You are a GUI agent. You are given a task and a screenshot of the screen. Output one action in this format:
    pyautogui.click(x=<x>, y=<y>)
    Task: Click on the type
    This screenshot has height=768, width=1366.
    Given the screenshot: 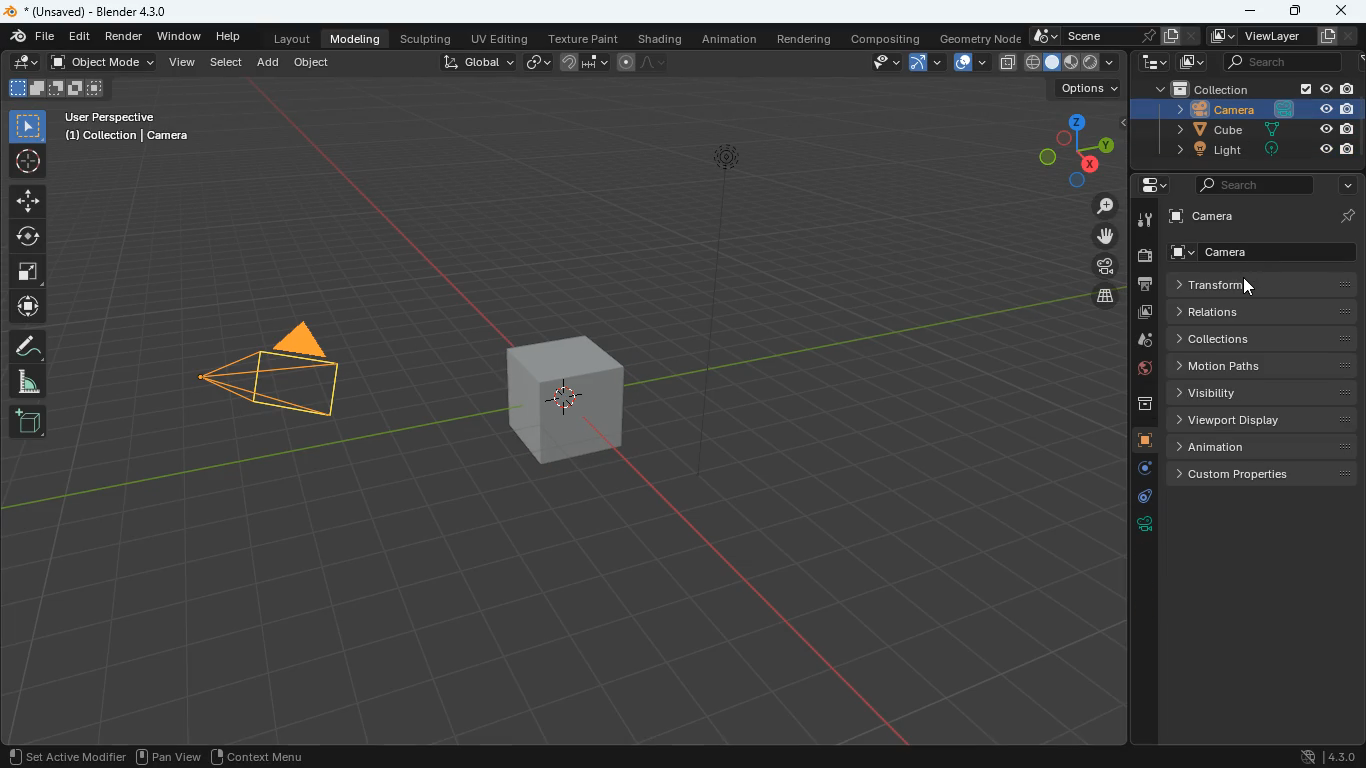 What is the action you would take?
    pyautogui.click(x=1071, y=60)
    